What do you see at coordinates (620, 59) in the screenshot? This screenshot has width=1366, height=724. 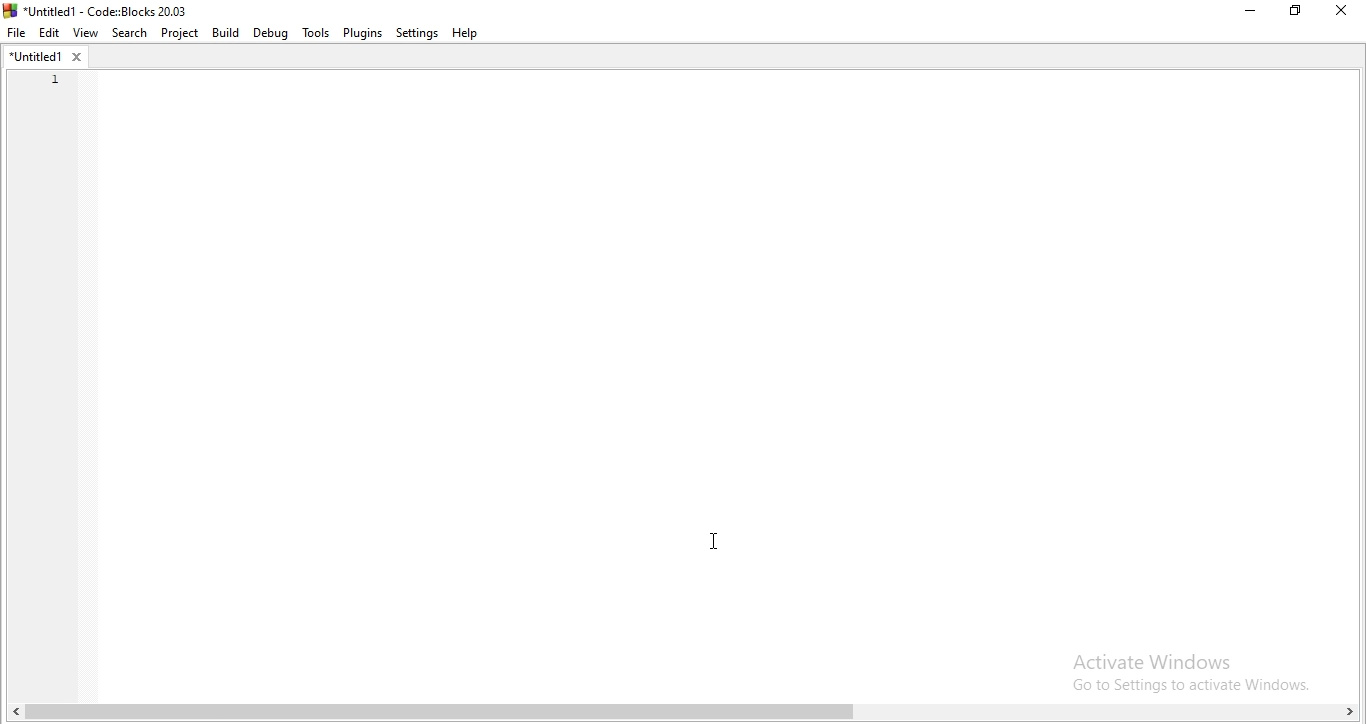 I see `empty dropdown` at bounding box center [620, 59].